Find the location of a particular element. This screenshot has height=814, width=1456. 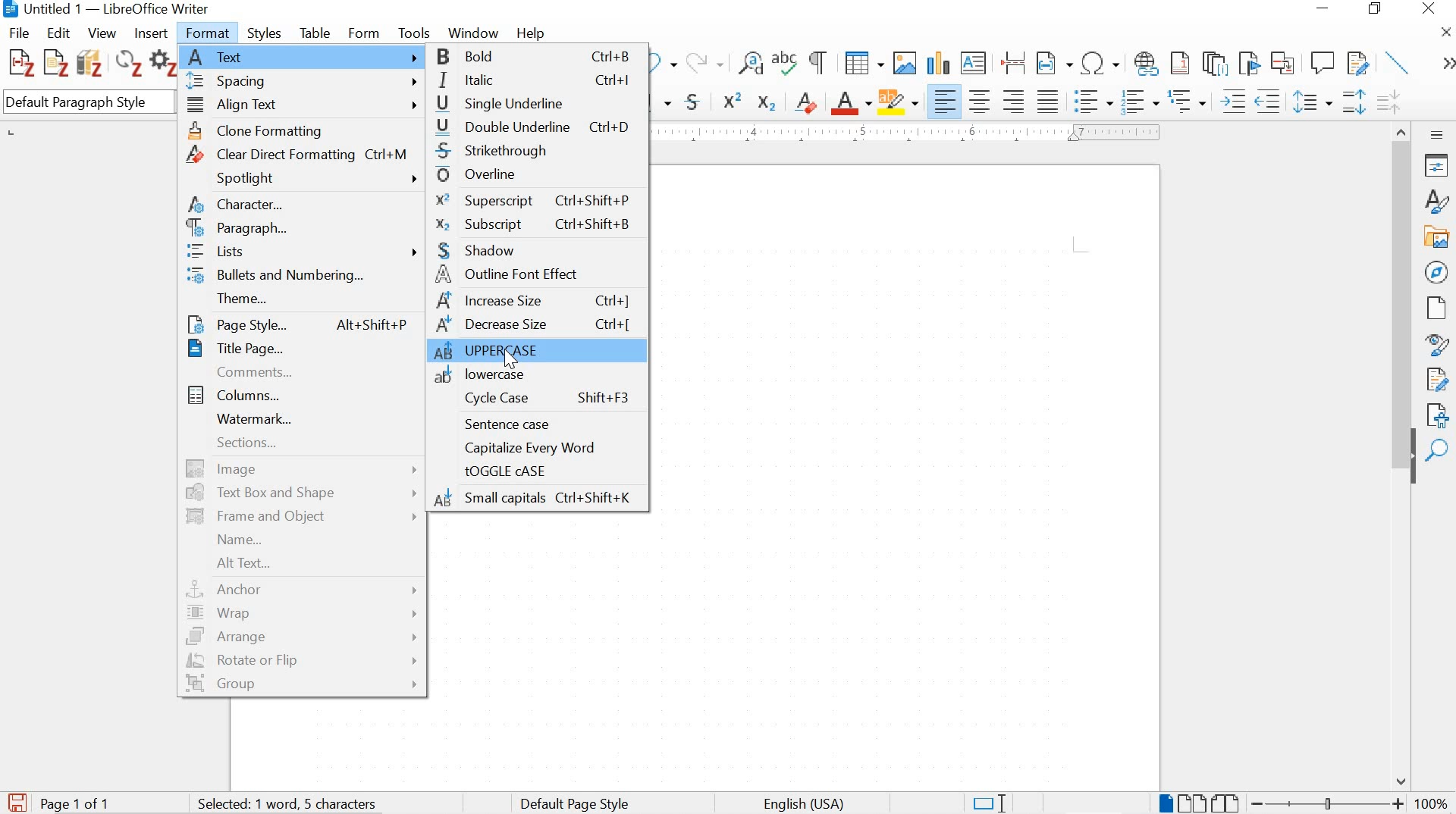

single underline is located at coordinates (538, 103).